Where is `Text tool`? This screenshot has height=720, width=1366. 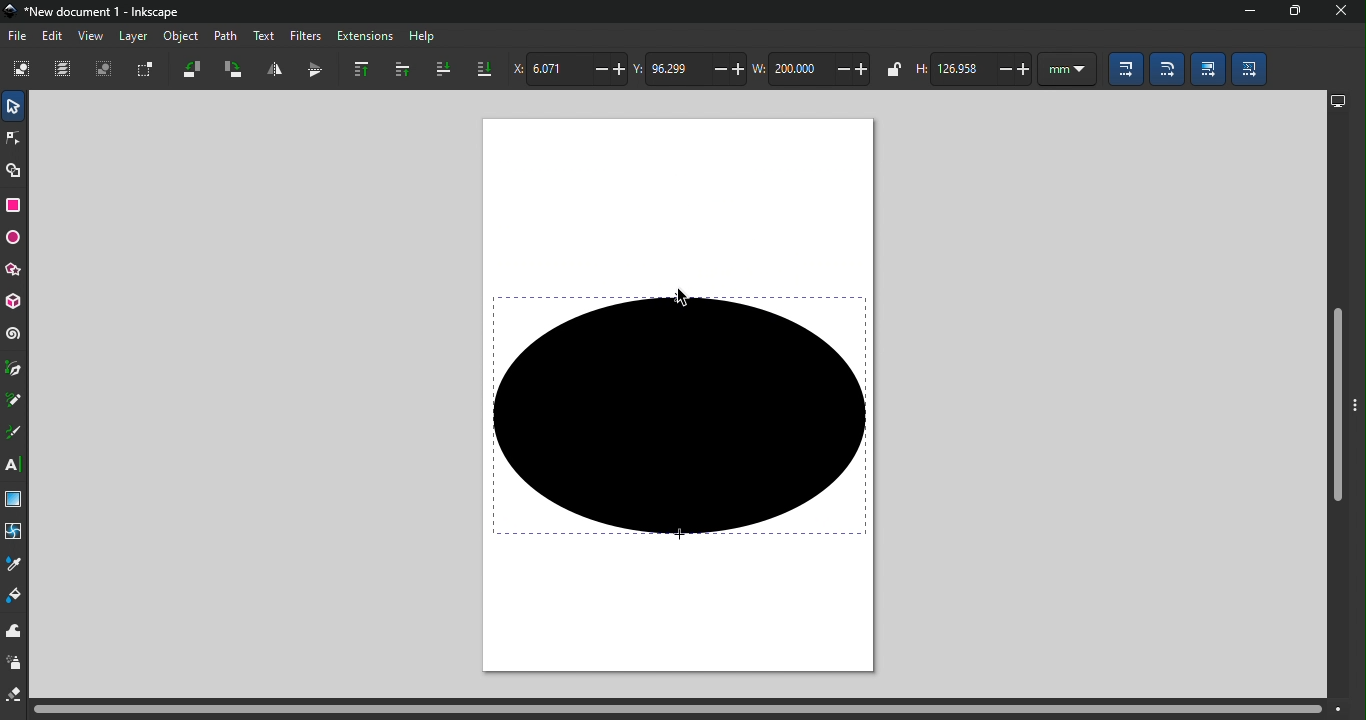 Text tool is located at coordinates (15, 467).